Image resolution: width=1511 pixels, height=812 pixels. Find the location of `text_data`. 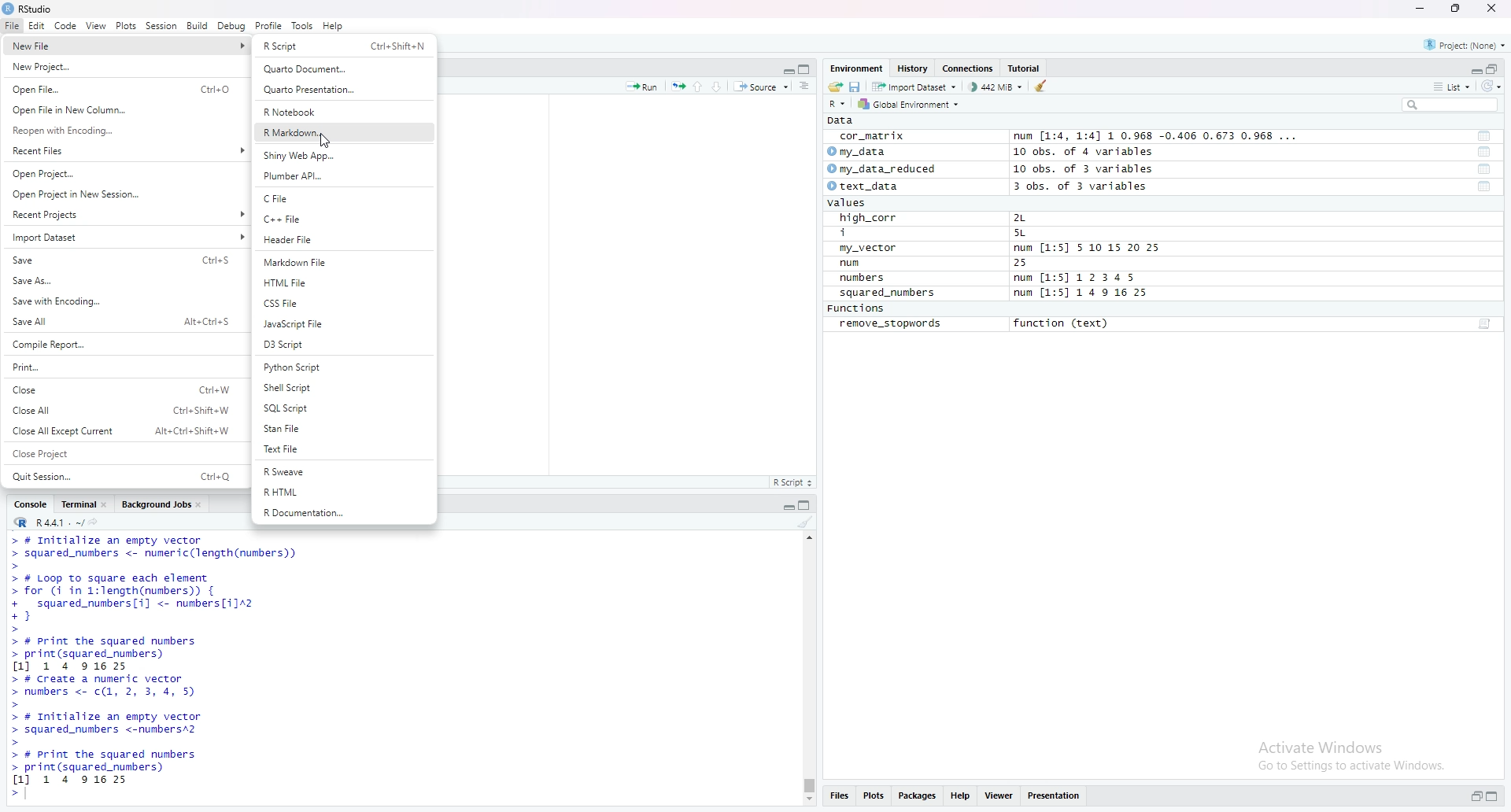

text_data is located at coordinates (869, 186).